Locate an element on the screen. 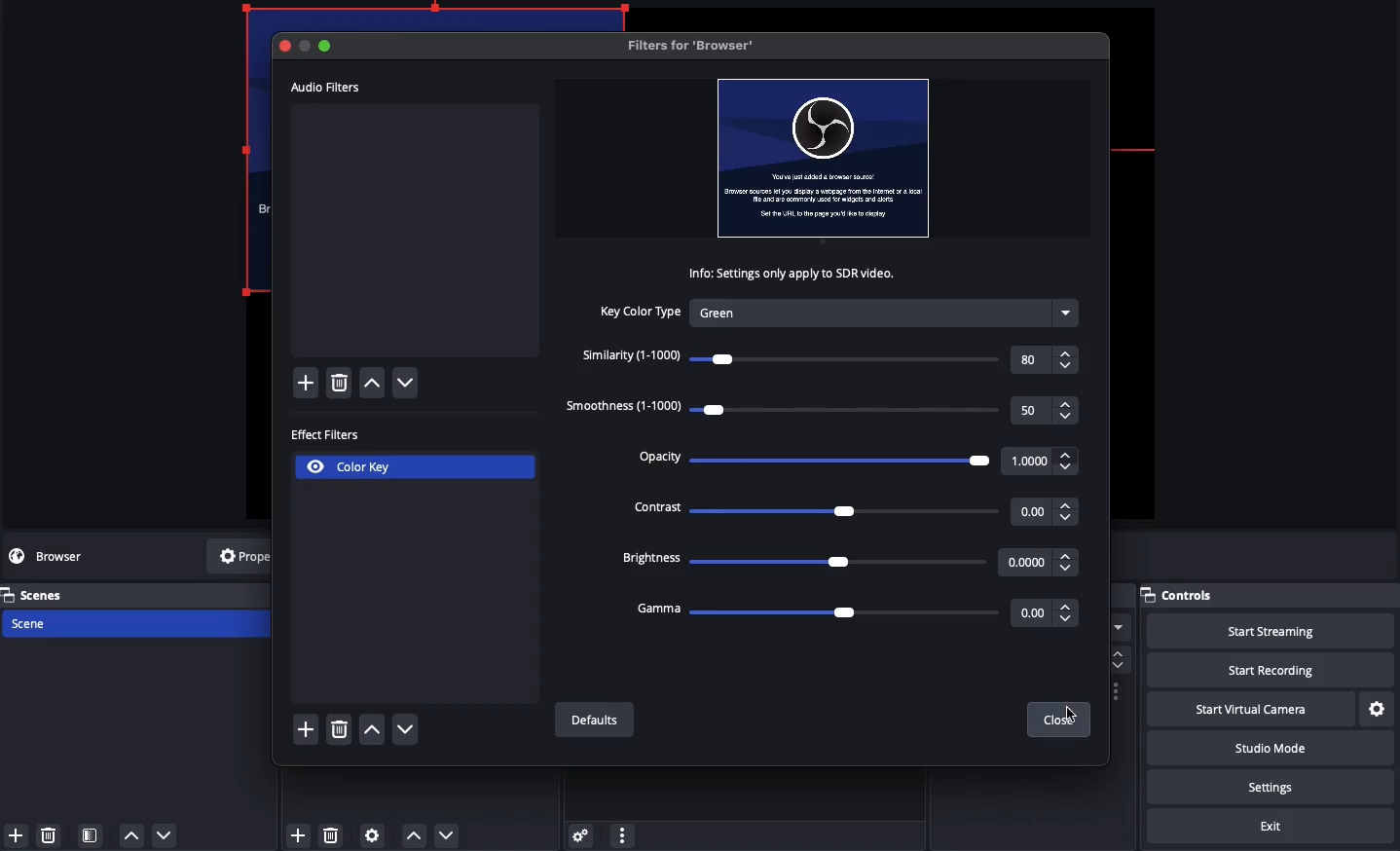  Similarity  is located at coordinates (827, 358).